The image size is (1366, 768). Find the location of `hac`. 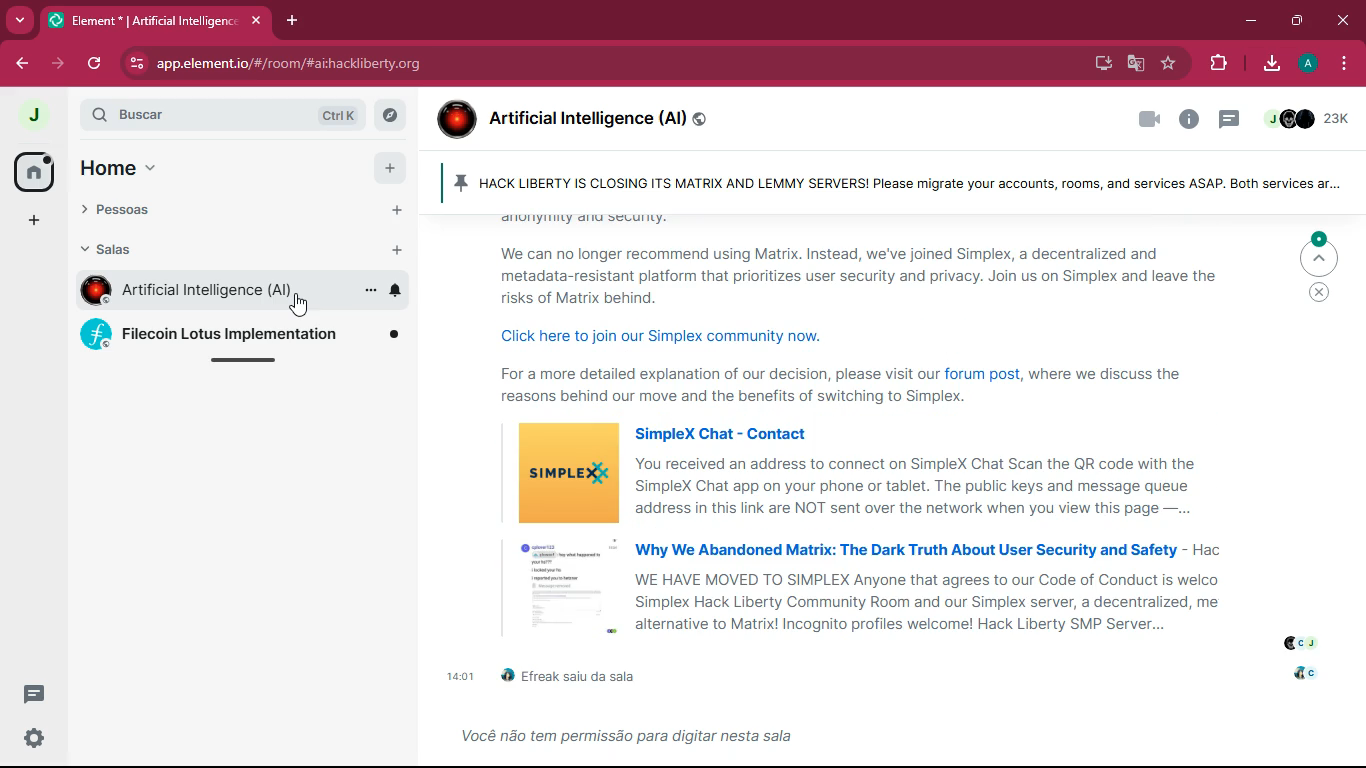

hac is located at coordinates (1207, 551).